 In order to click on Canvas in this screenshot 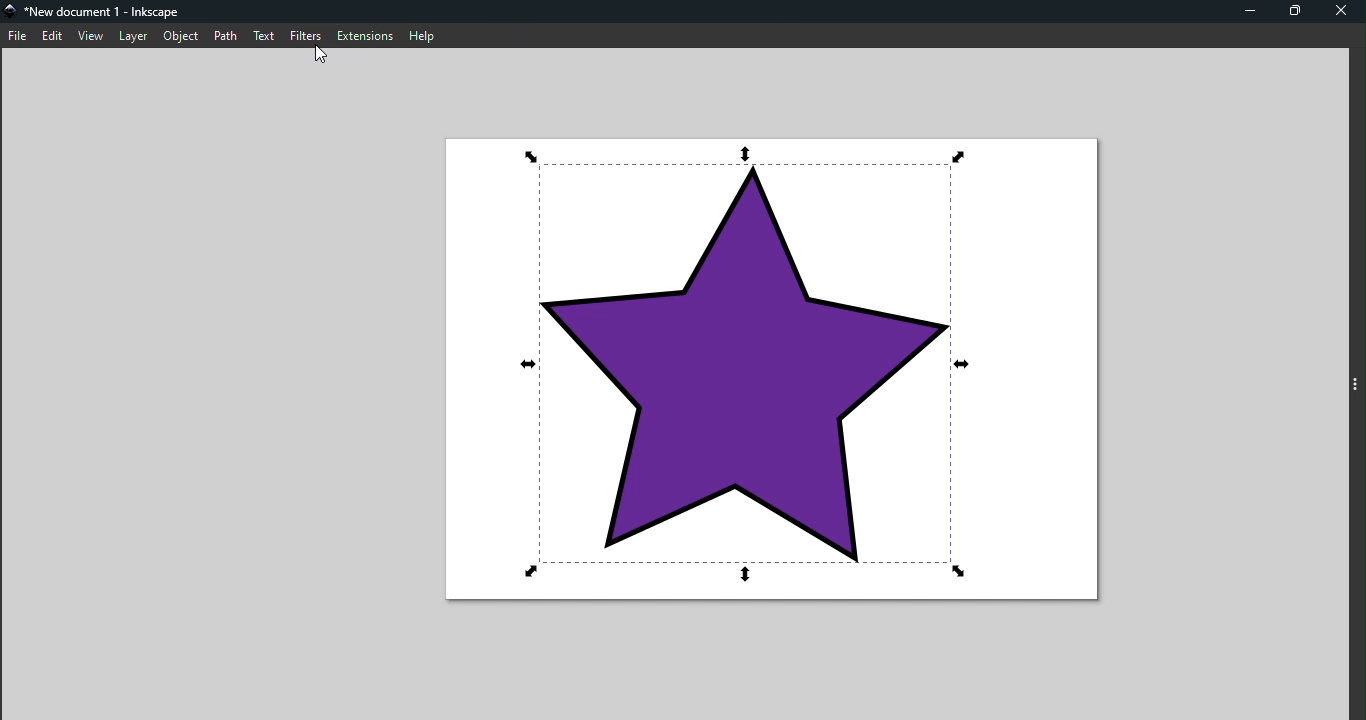, I will do `click(768, 373)`.